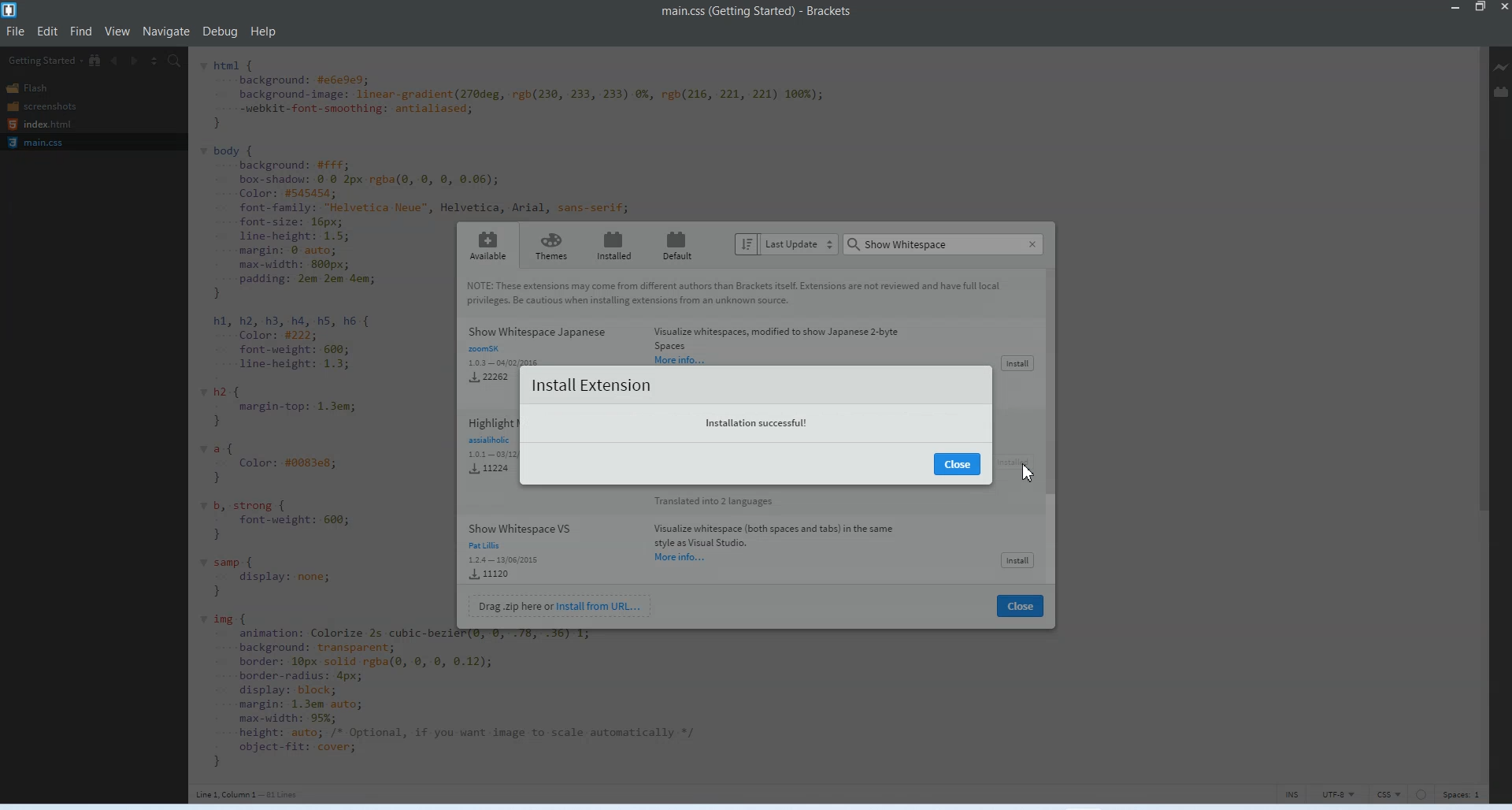 The width and height of the screenshot is (1512, 810). Describe the element at coordinates (37, 143) in the screenshot. I see `Main.css` at that location.